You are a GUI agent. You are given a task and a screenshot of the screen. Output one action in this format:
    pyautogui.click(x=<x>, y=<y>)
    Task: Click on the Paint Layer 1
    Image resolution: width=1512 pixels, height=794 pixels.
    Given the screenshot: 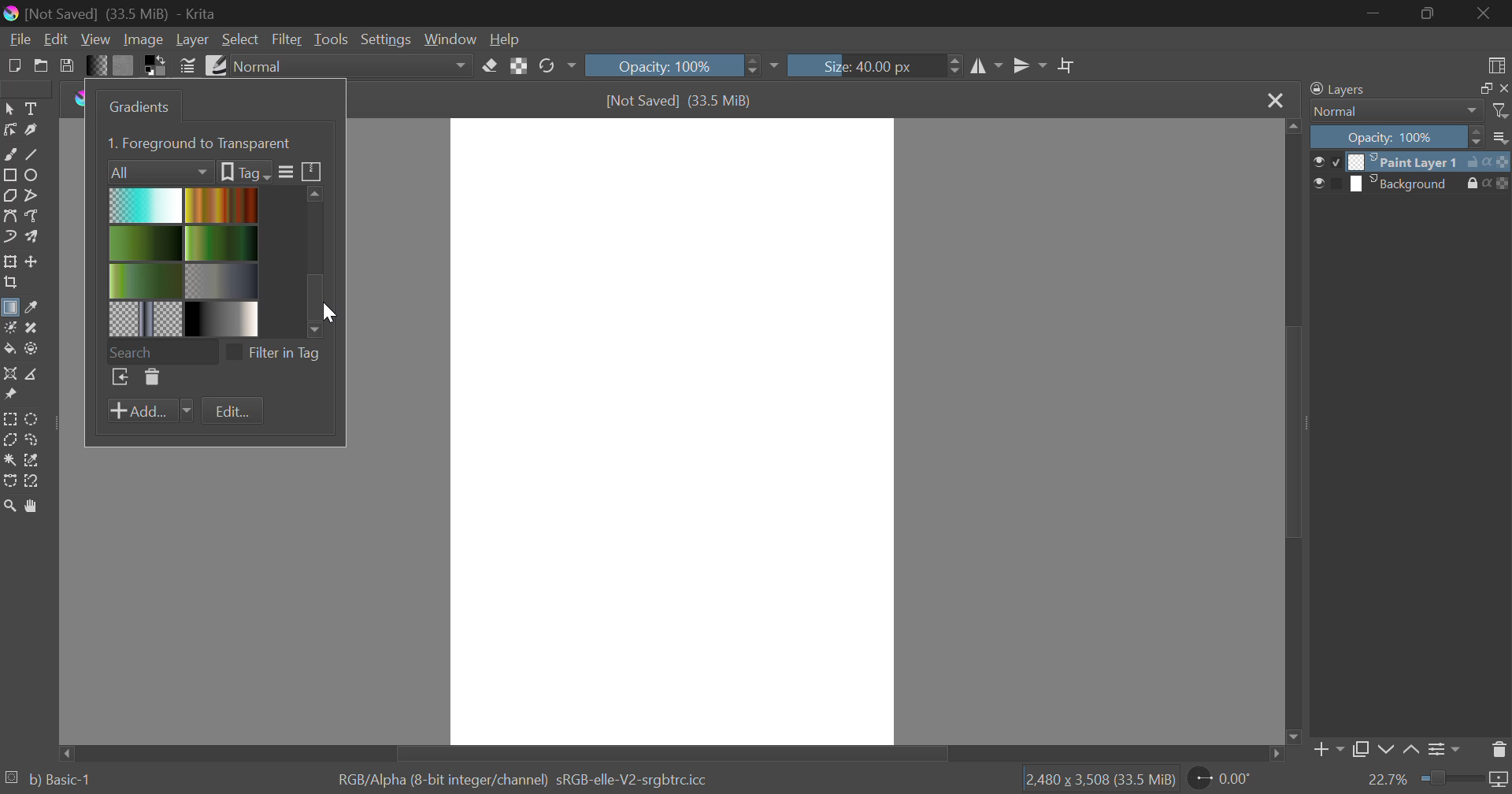 What is the action you would take?
    pyautogui.click(x=1404, y=160)
    